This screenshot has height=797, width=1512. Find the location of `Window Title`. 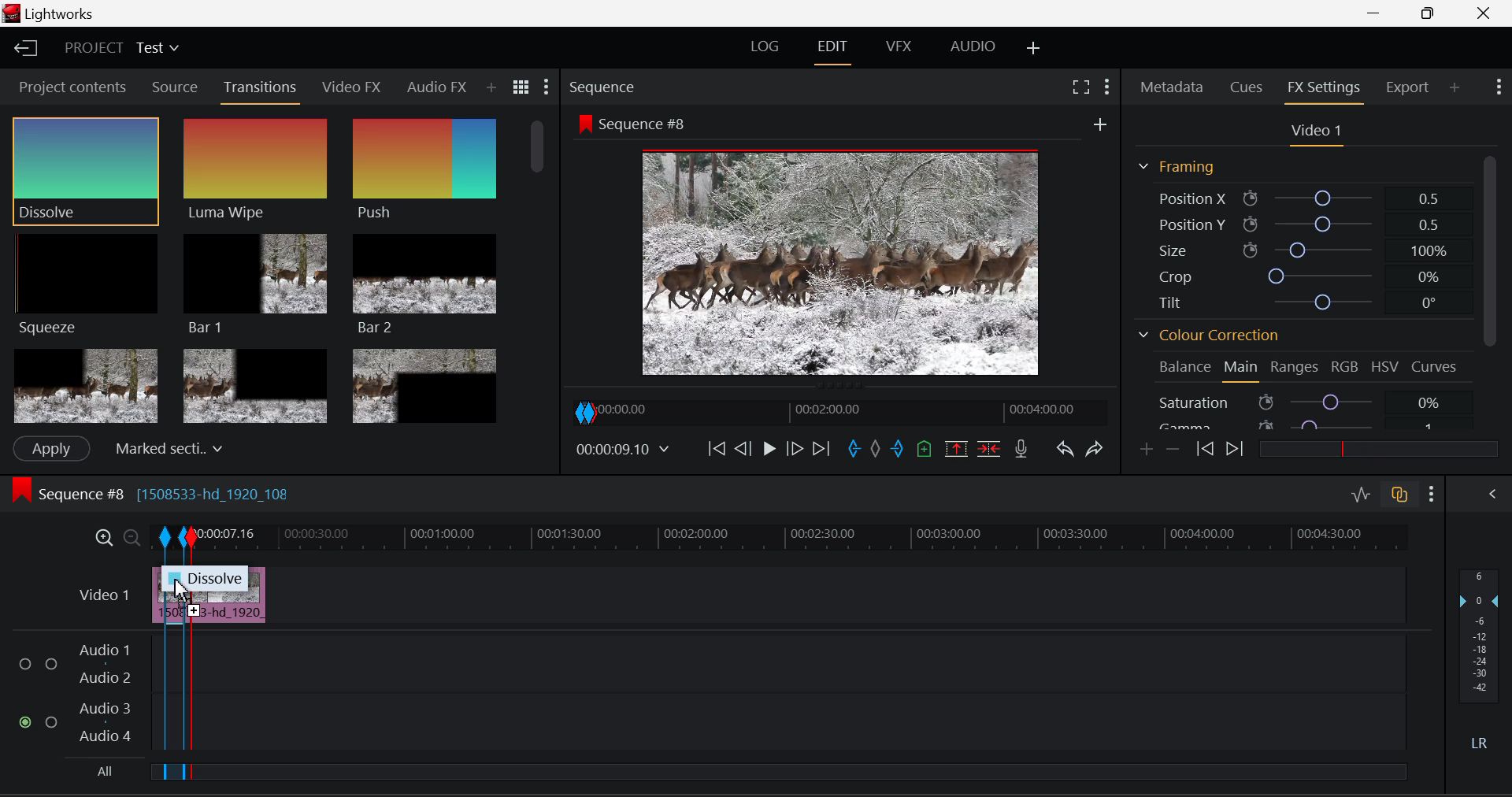

Window Title is located at coordinates (50, 13).